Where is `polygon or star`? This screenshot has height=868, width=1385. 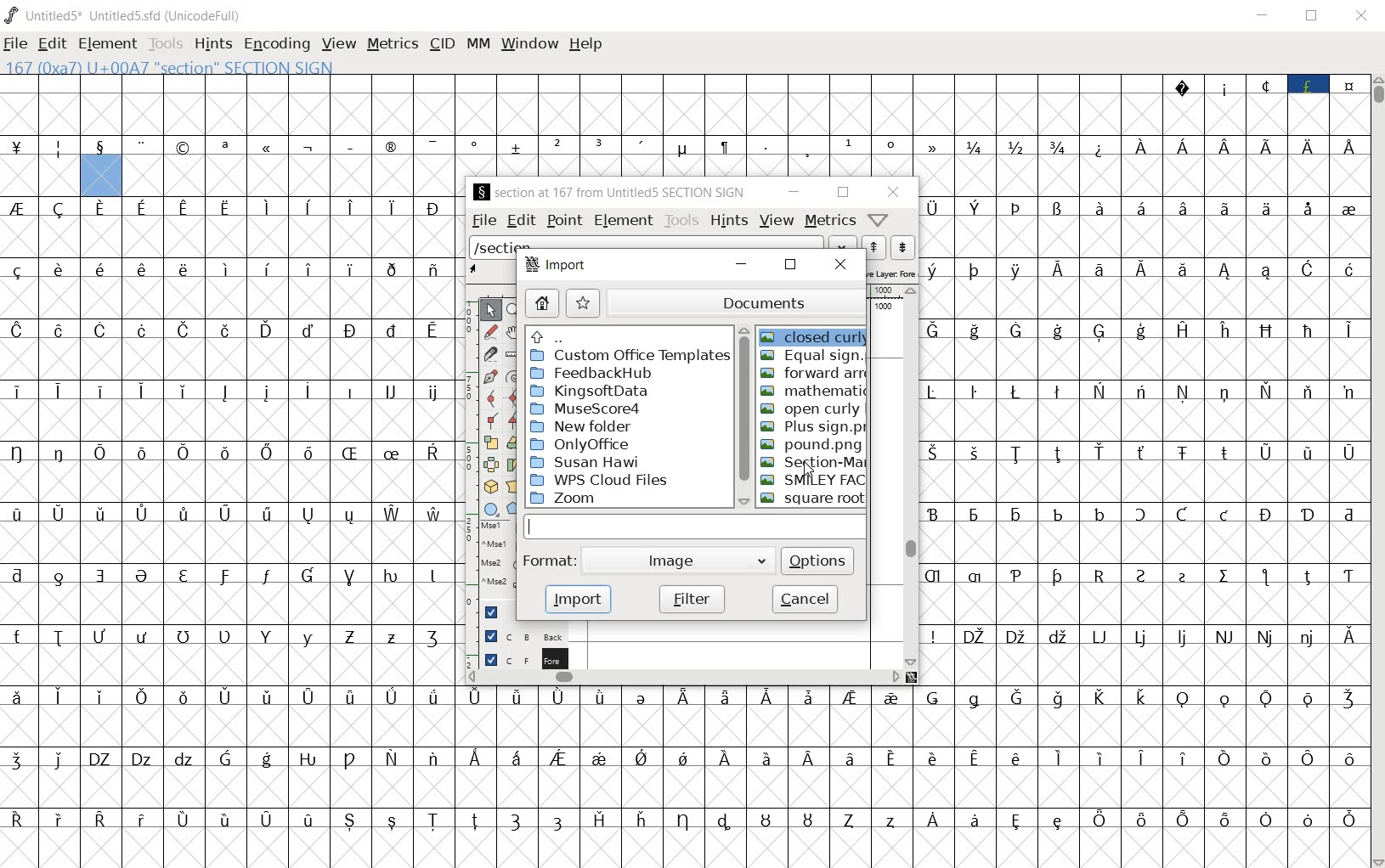 polygon or star is located at coordinates (516, 510).